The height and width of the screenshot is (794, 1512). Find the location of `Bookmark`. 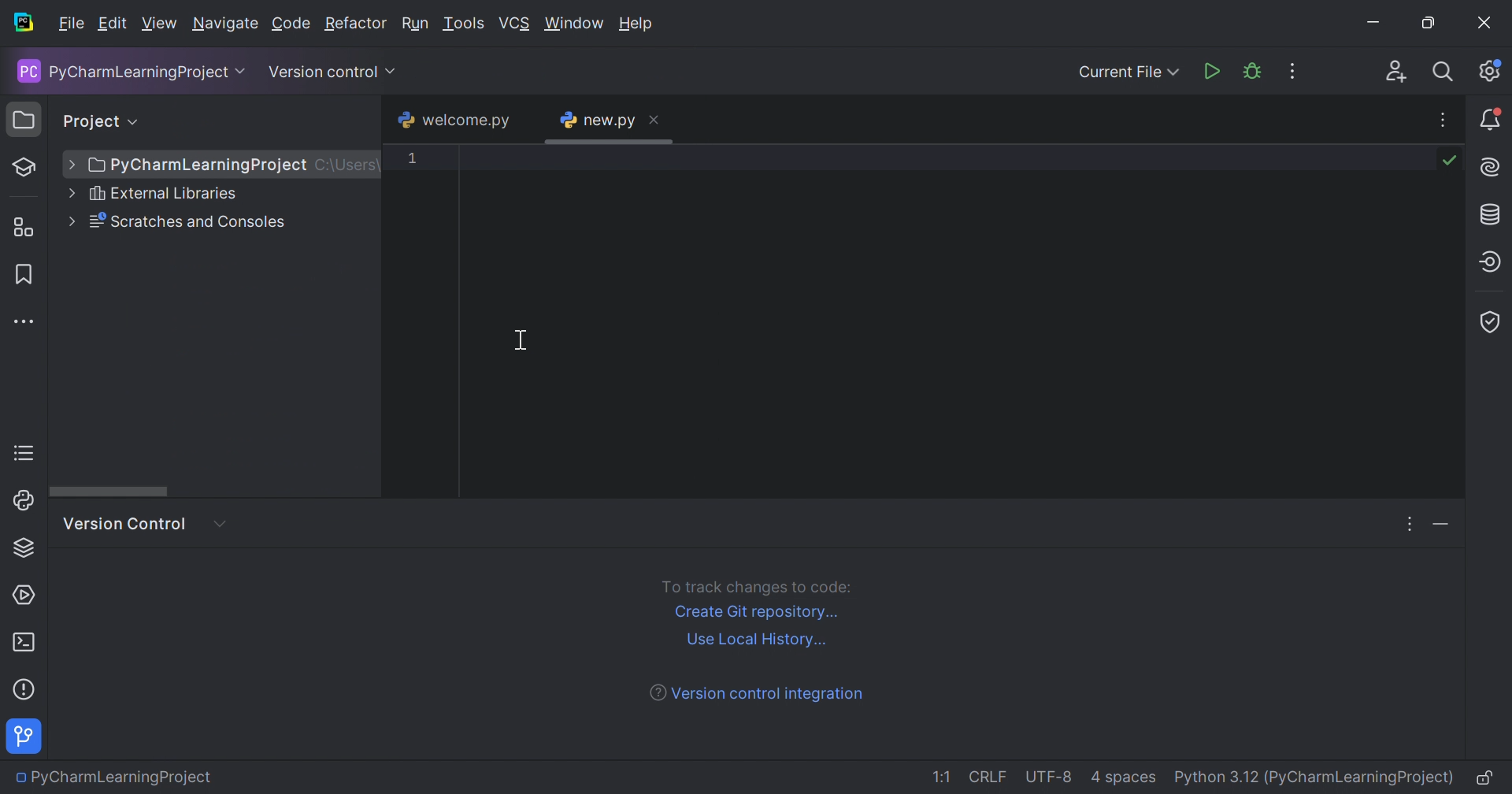

Bookmark is located at coordinates (20, 273).